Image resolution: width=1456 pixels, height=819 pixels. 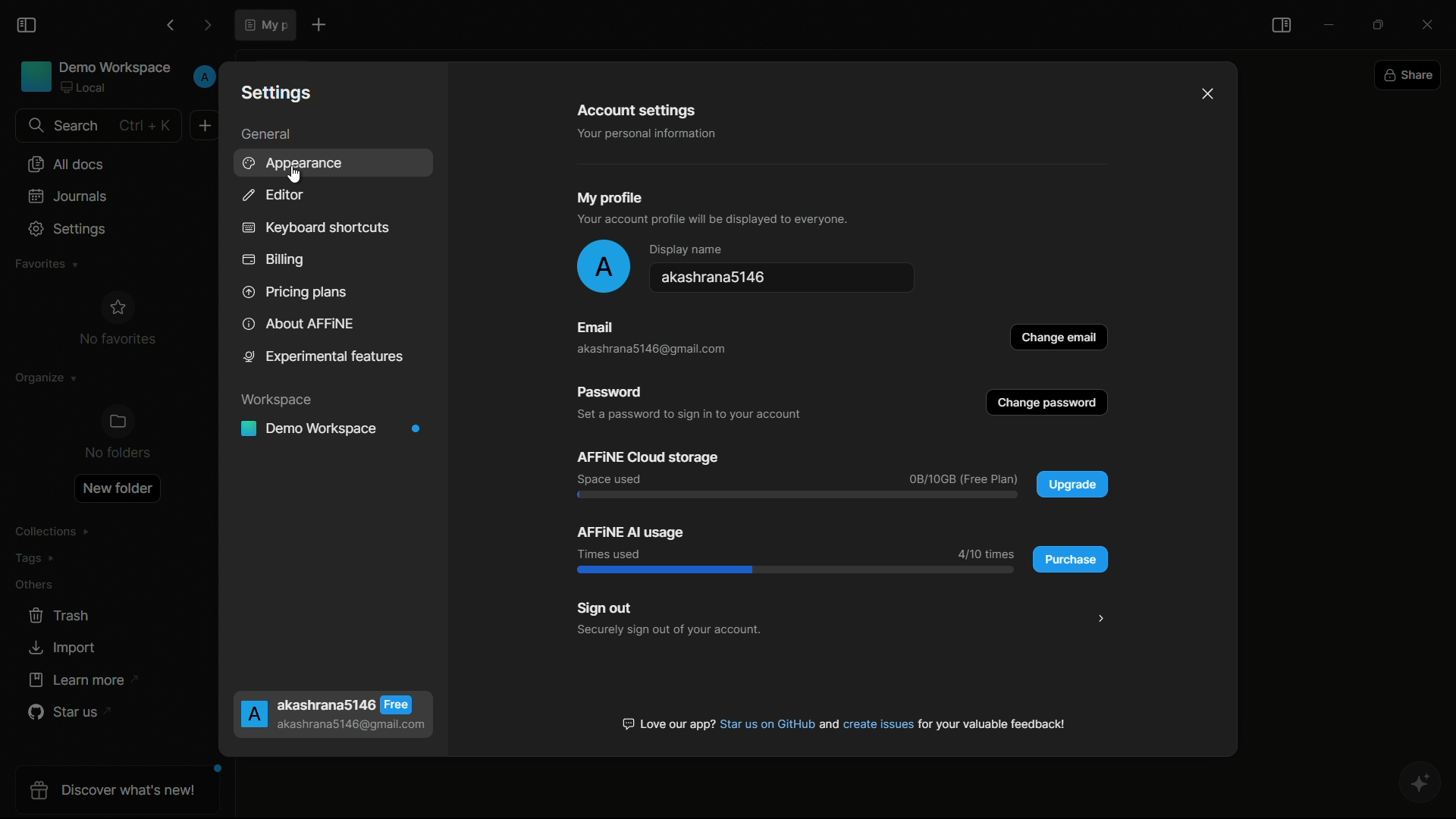 I want to click on star us, so click(x=64, y=714).